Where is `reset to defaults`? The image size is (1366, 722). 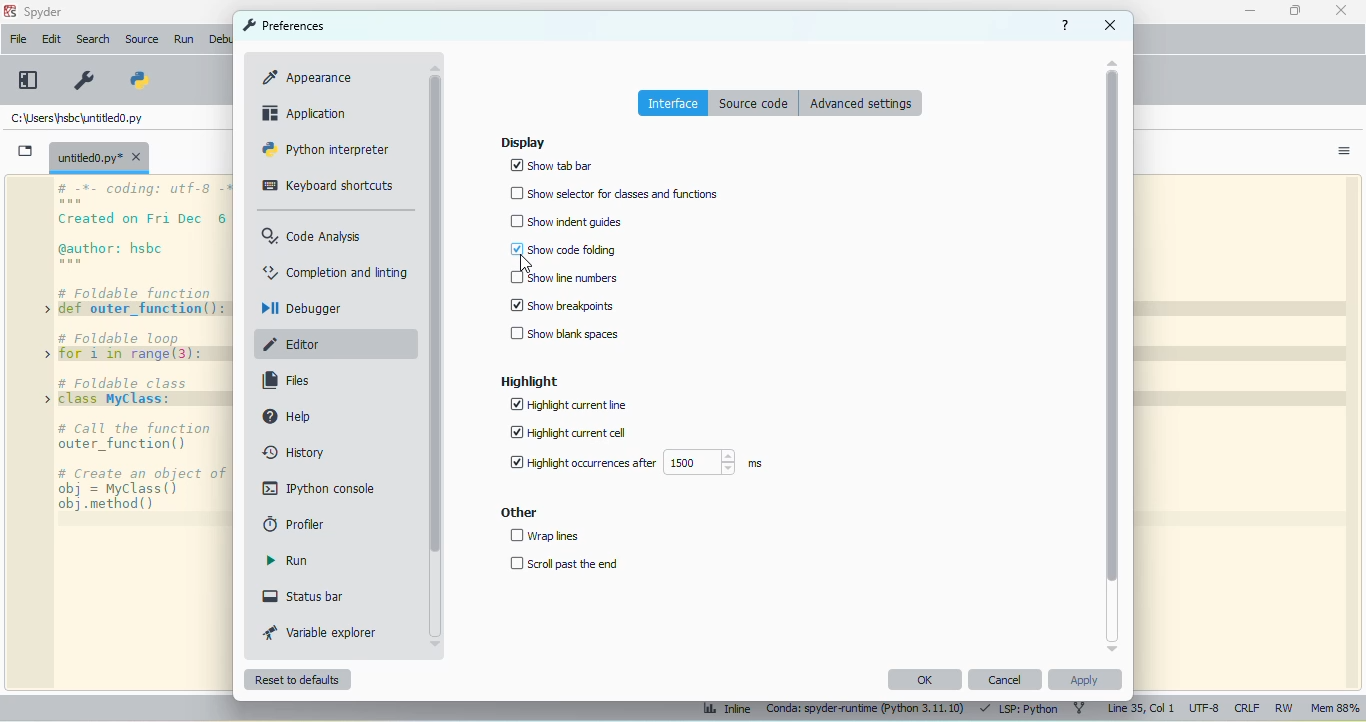
reset to defaults is located at coordinates (297, 679).